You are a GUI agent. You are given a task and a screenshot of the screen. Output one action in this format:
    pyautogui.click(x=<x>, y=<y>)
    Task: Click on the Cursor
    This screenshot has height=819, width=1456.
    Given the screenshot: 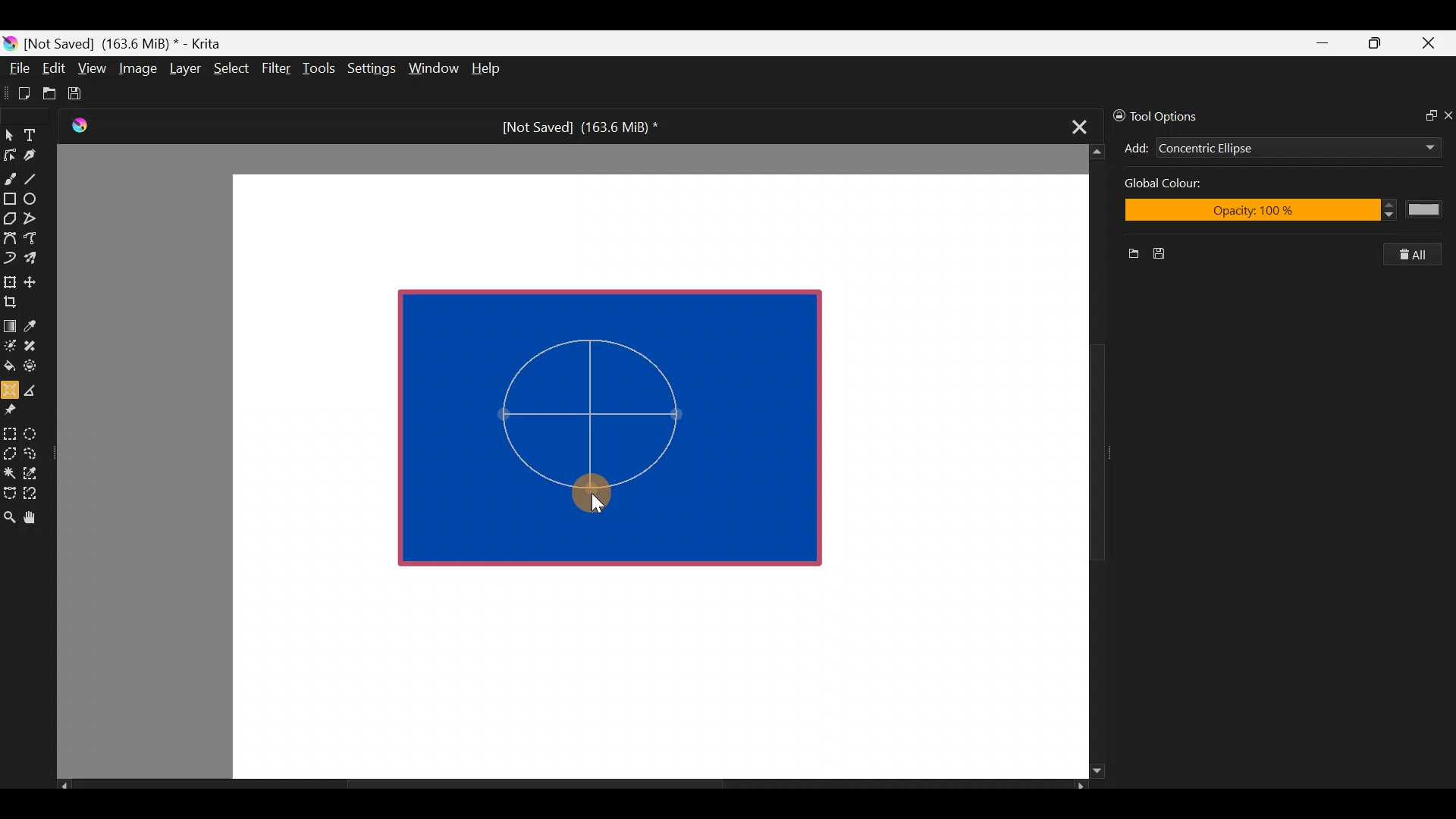 What is the action you would take?
    pyautogui.click(x=602, y=497)
    